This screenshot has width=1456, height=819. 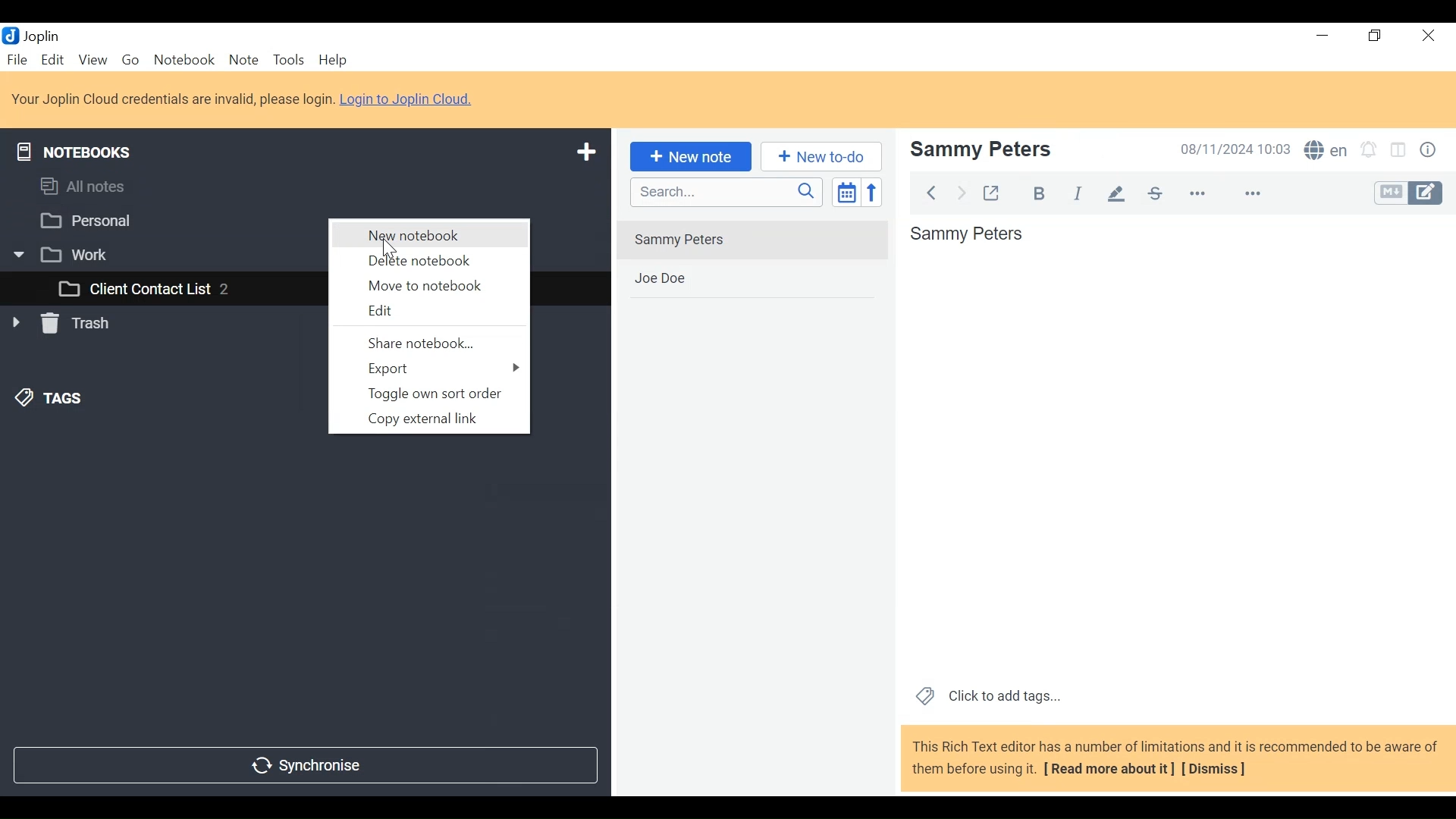 What do you see at coordinates (752, 240) in the screenshot?
I see `Sammy Peters` at bounding box center [752, 240].